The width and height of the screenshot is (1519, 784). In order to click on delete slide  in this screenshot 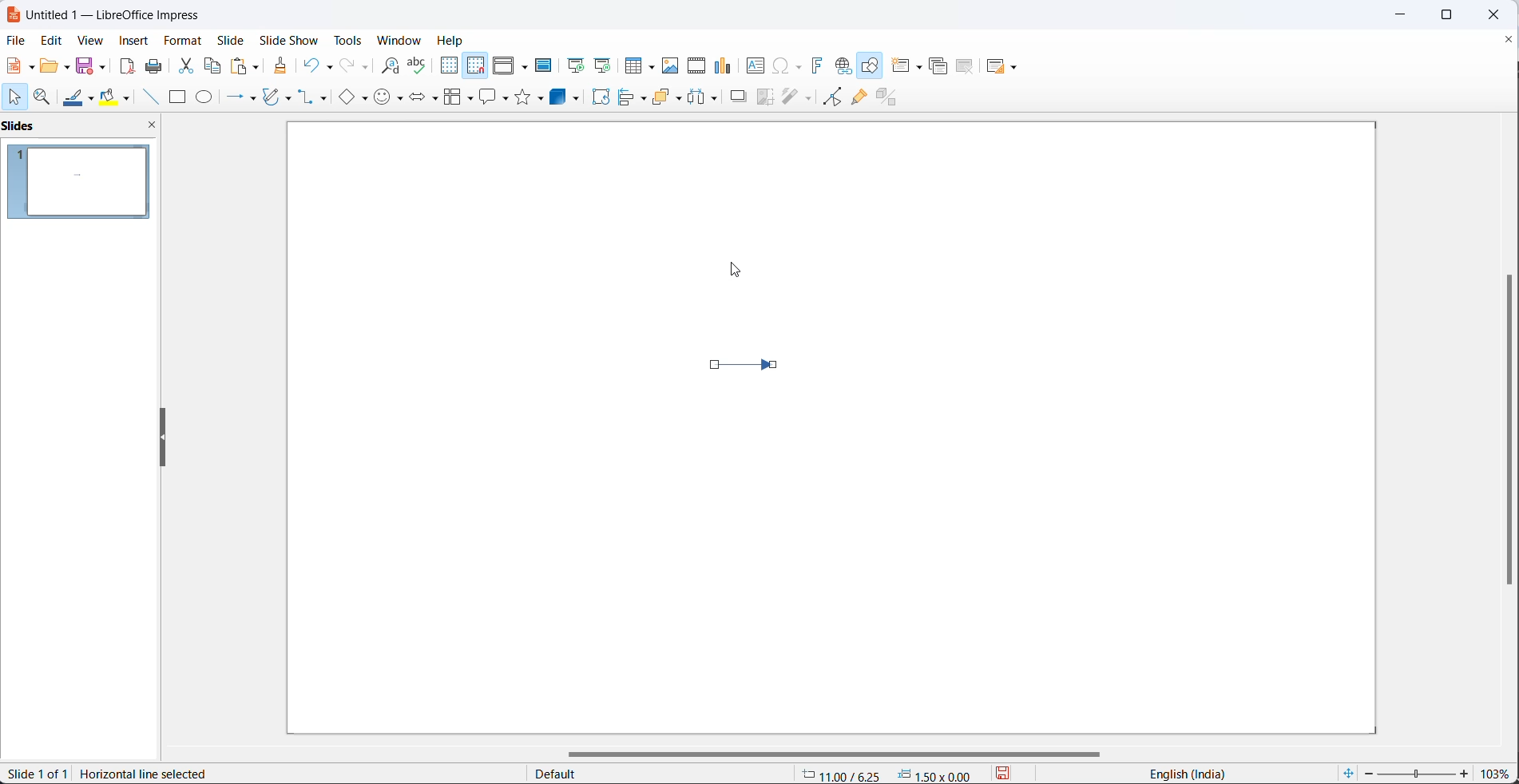, I will do `click(965, 67)`.